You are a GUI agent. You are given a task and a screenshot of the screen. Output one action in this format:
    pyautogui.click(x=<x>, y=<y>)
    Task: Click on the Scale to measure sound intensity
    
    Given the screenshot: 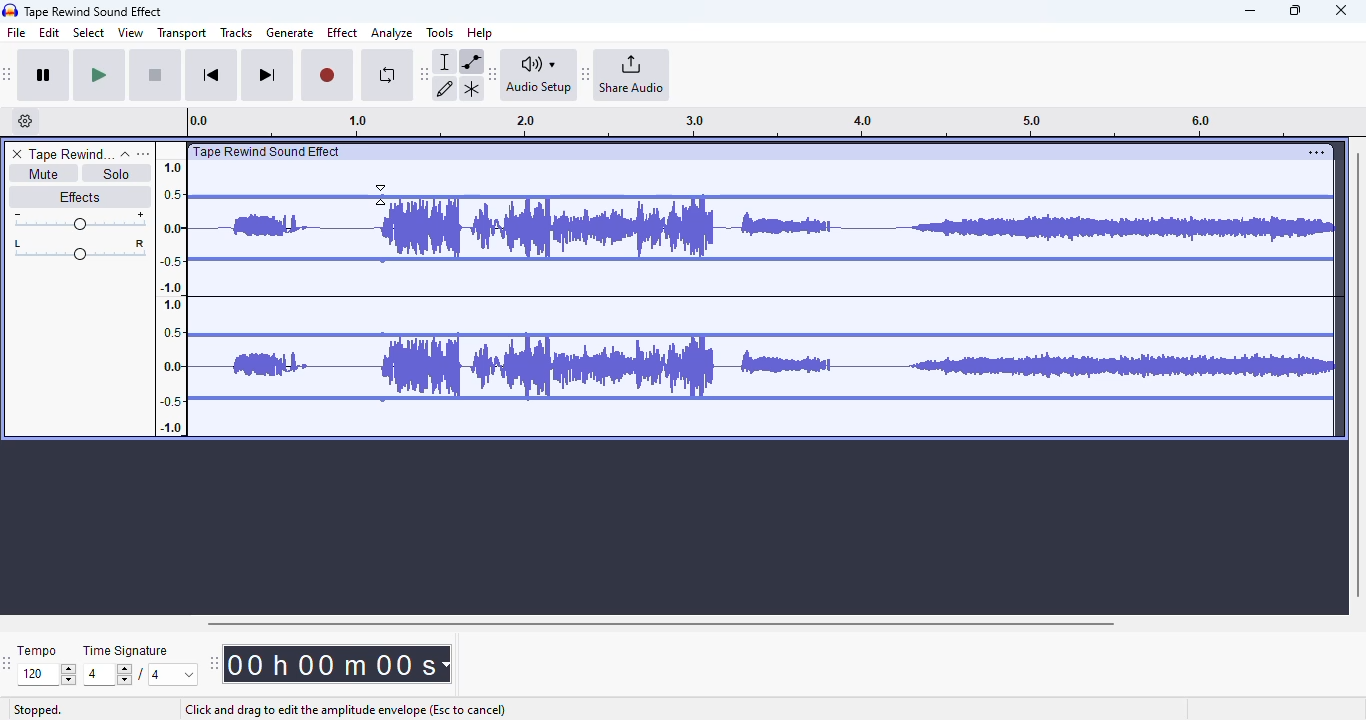 What is the action you would take?
    pyautogui.click(x=172, y=296)
    